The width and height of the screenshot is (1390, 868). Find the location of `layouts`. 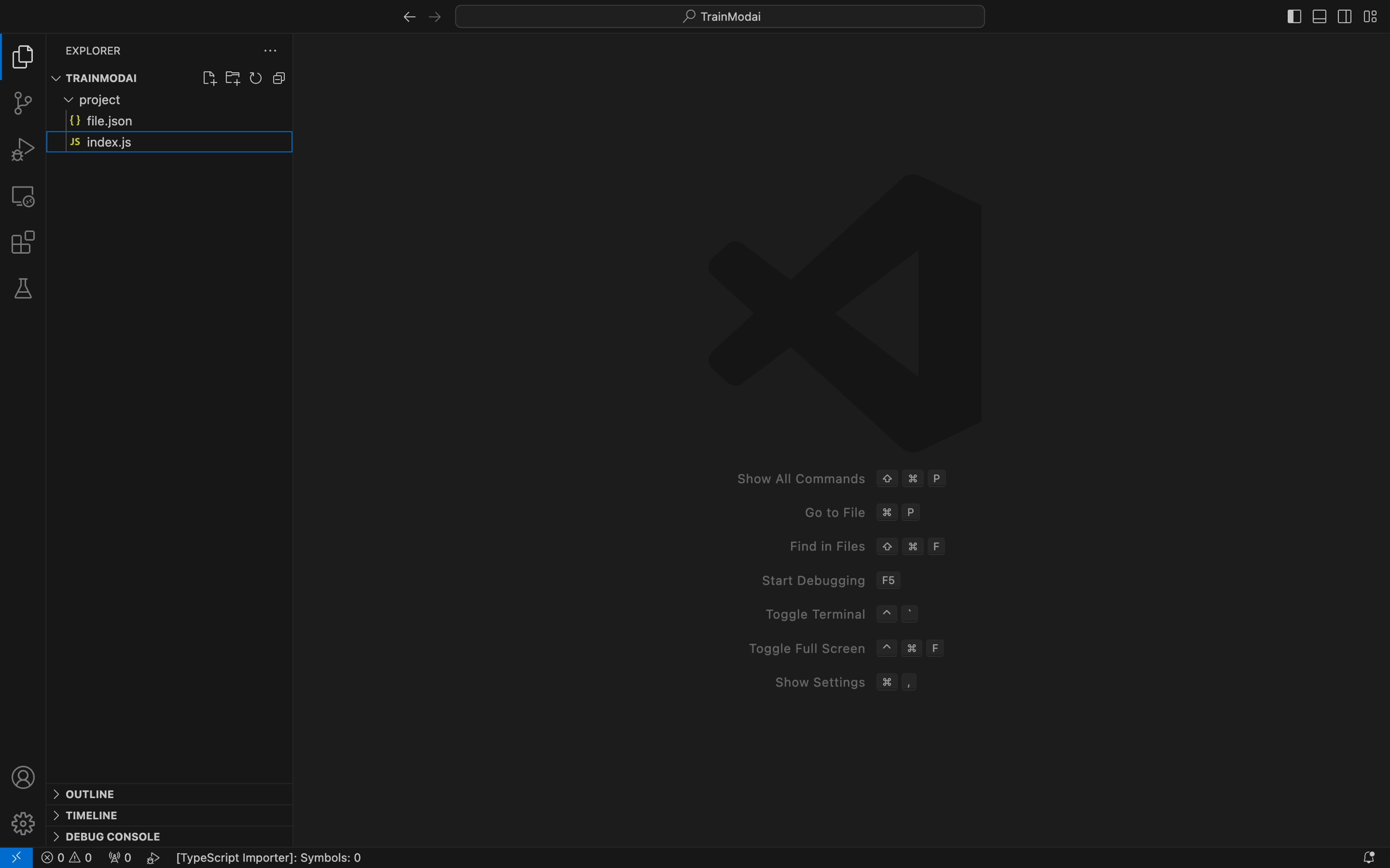

layouts is located at coordinates (282, 77).